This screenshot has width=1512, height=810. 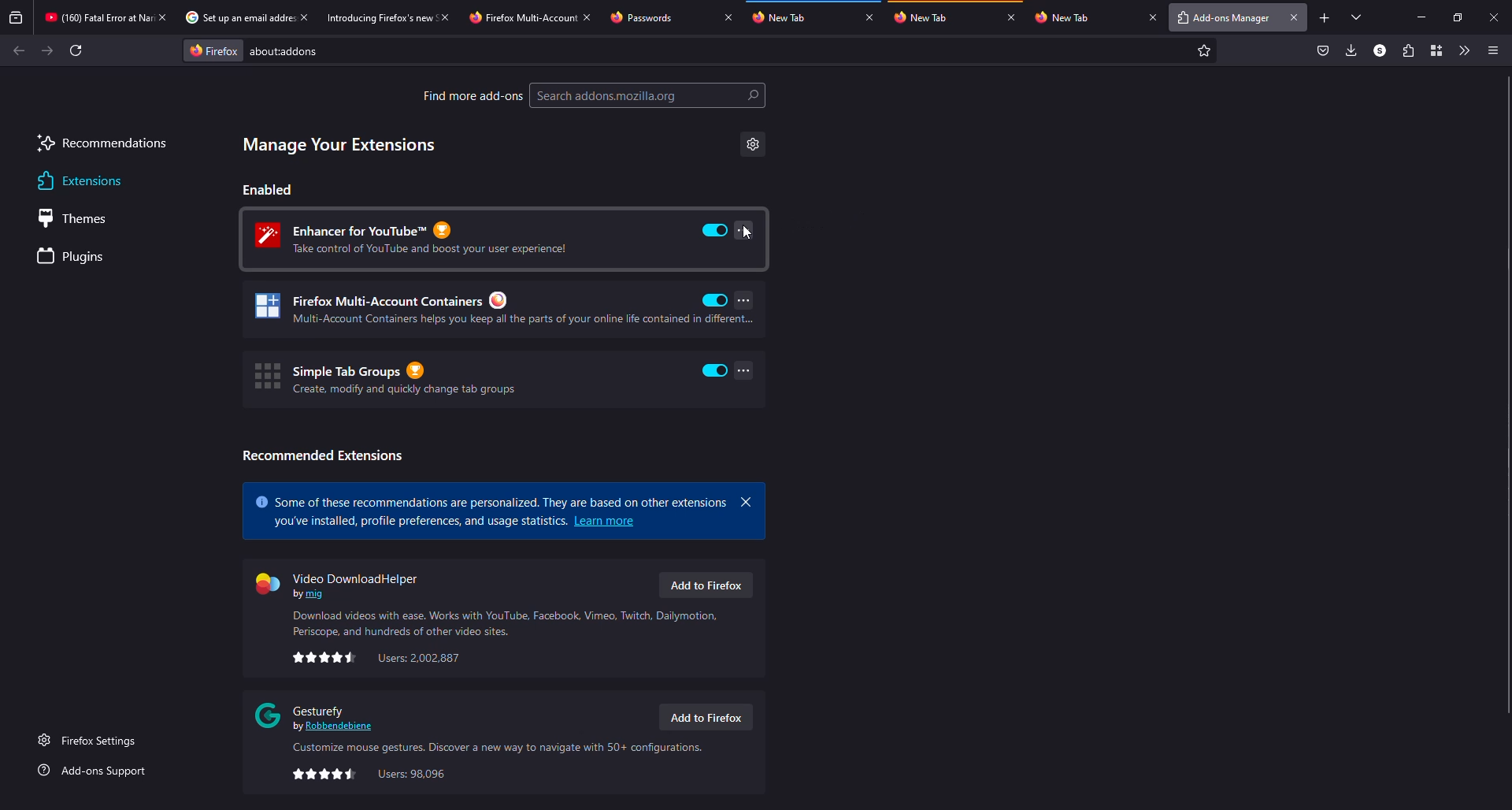 What do you see at coordinates (472, 95) in the screenshot?
I see `find more` at bounding box center [472, 95].